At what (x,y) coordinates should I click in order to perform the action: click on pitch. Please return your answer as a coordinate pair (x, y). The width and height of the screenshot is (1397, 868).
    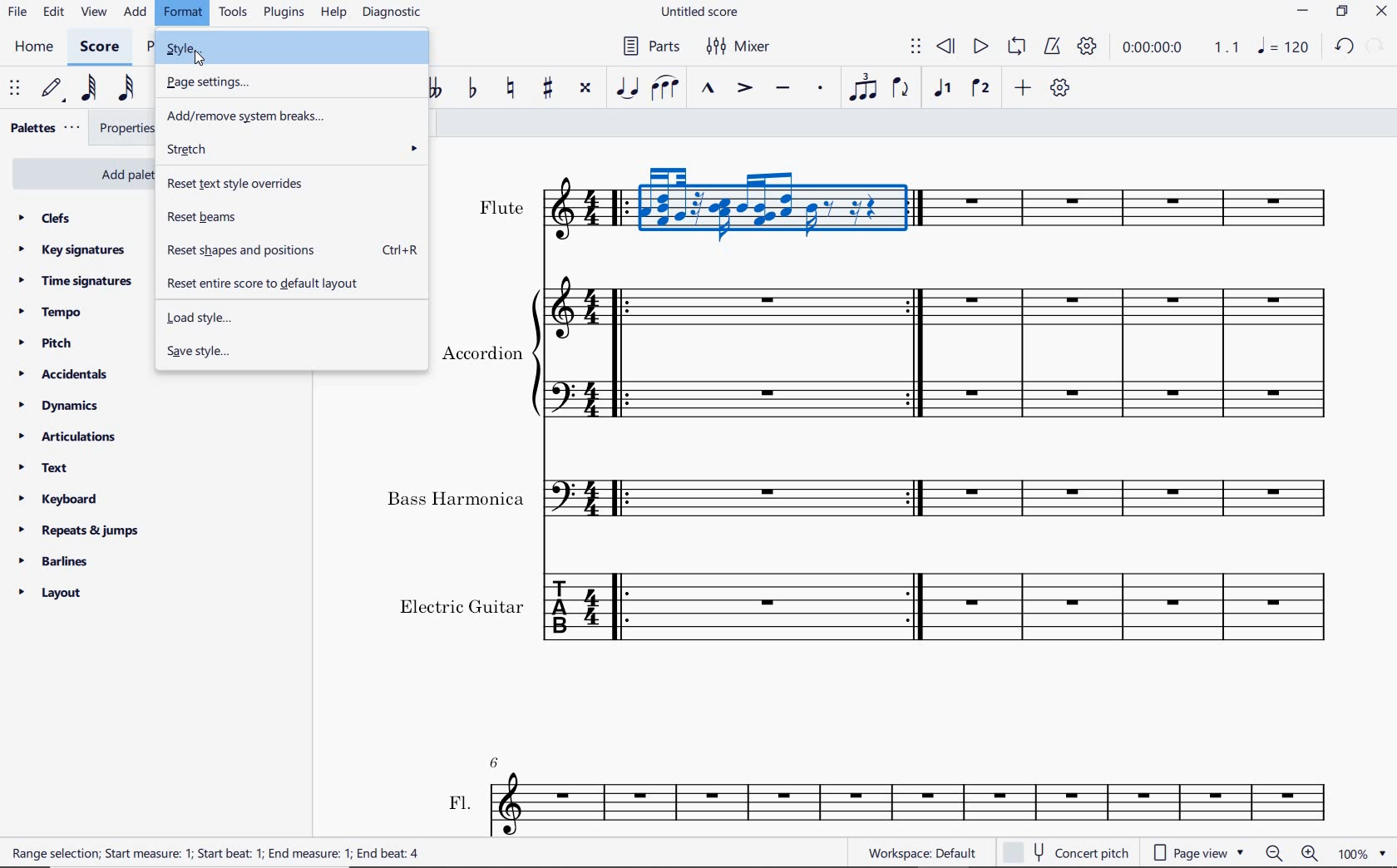
    Looking at the image, I should click on (46, 344).